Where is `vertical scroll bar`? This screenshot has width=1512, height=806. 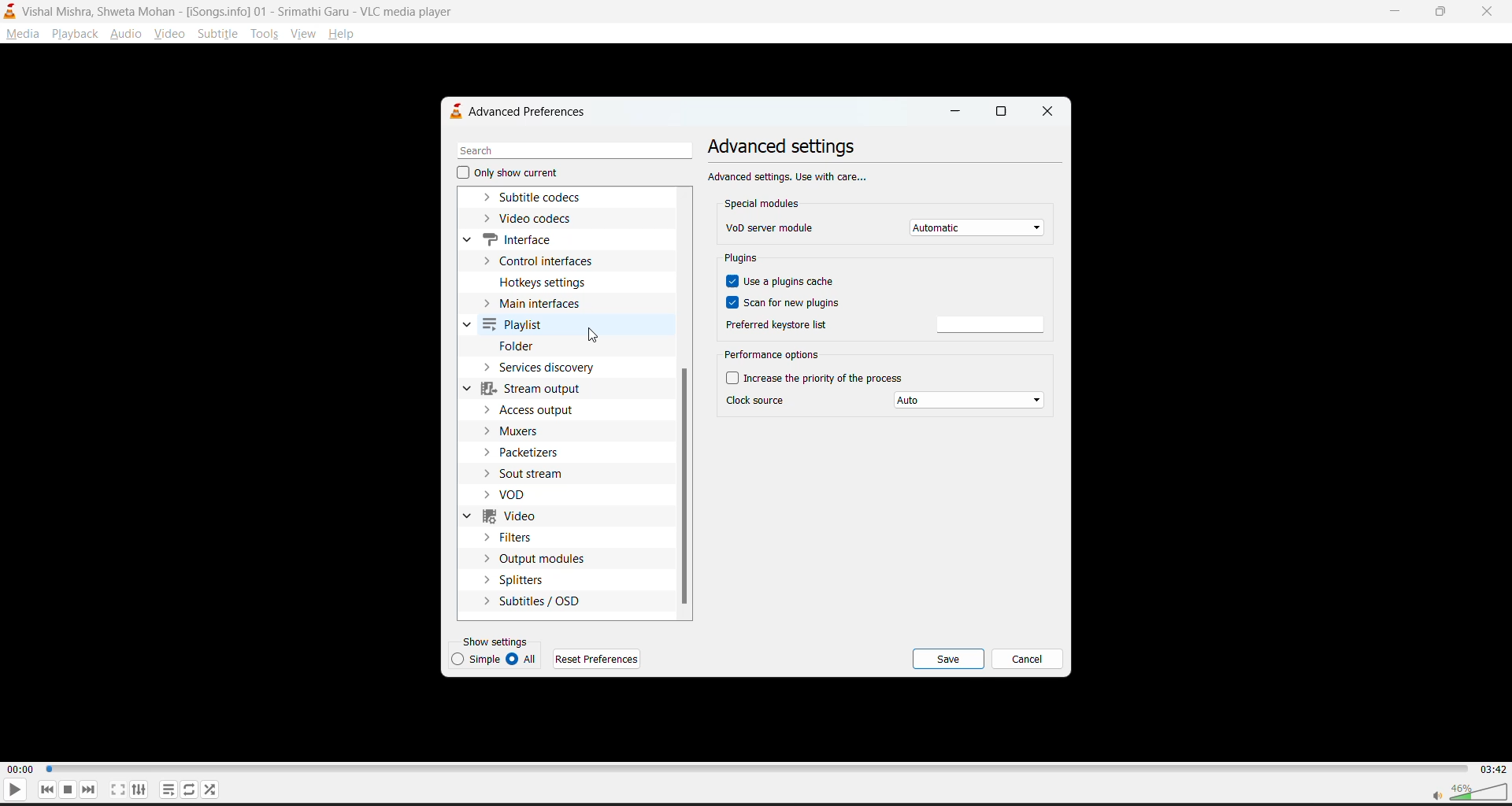
vertical scroll bar is located at coordinates (684, 487).